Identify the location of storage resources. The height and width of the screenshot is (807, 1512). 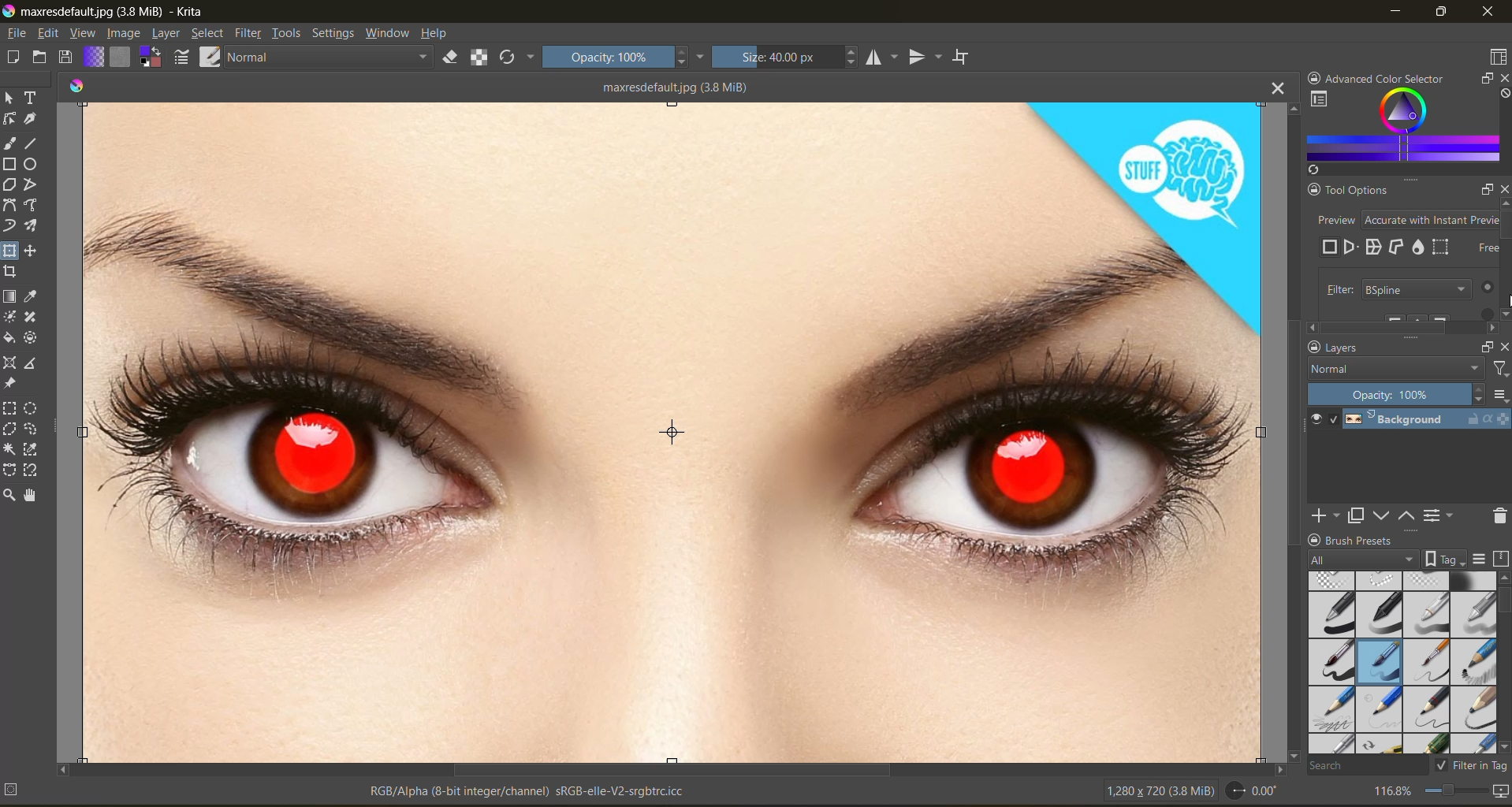
(1501, 559).